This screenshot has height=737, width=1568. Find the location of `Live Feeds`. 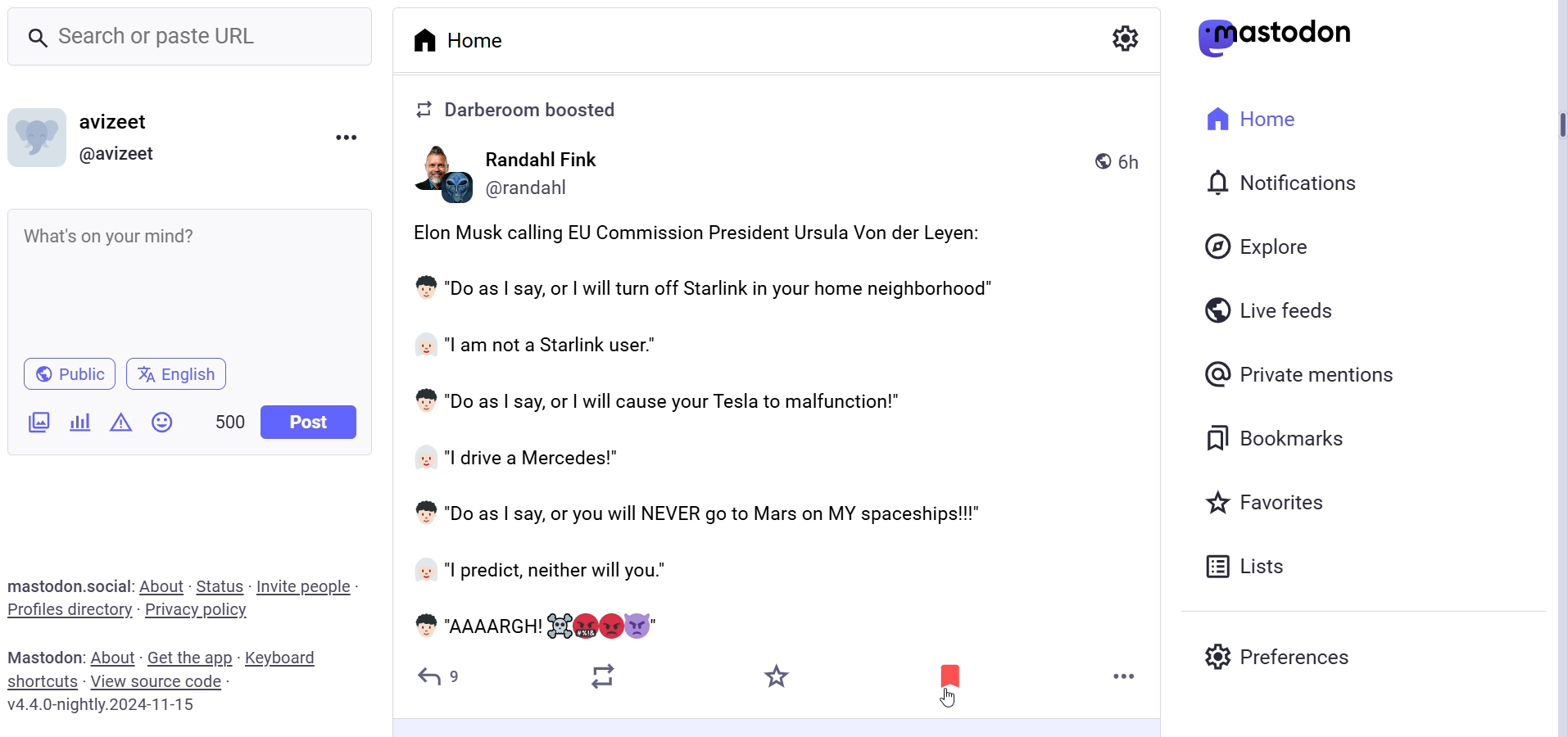

Live Feeds is located at coordinates (1267, 306).